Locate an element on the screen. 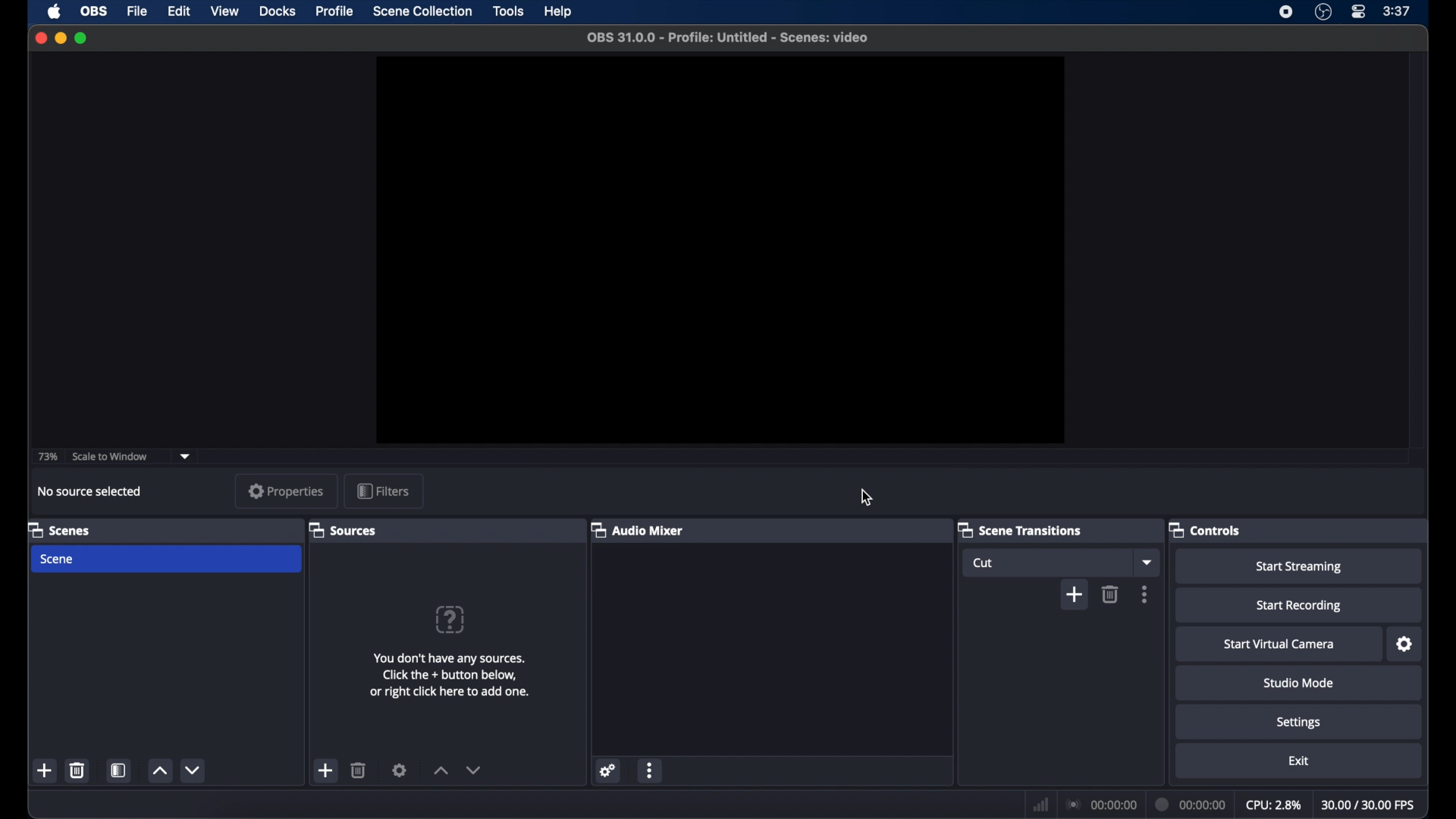 Image resolution: width=1456 pixels, height=819 pixels. connection is located at coordinates (1100, 804).